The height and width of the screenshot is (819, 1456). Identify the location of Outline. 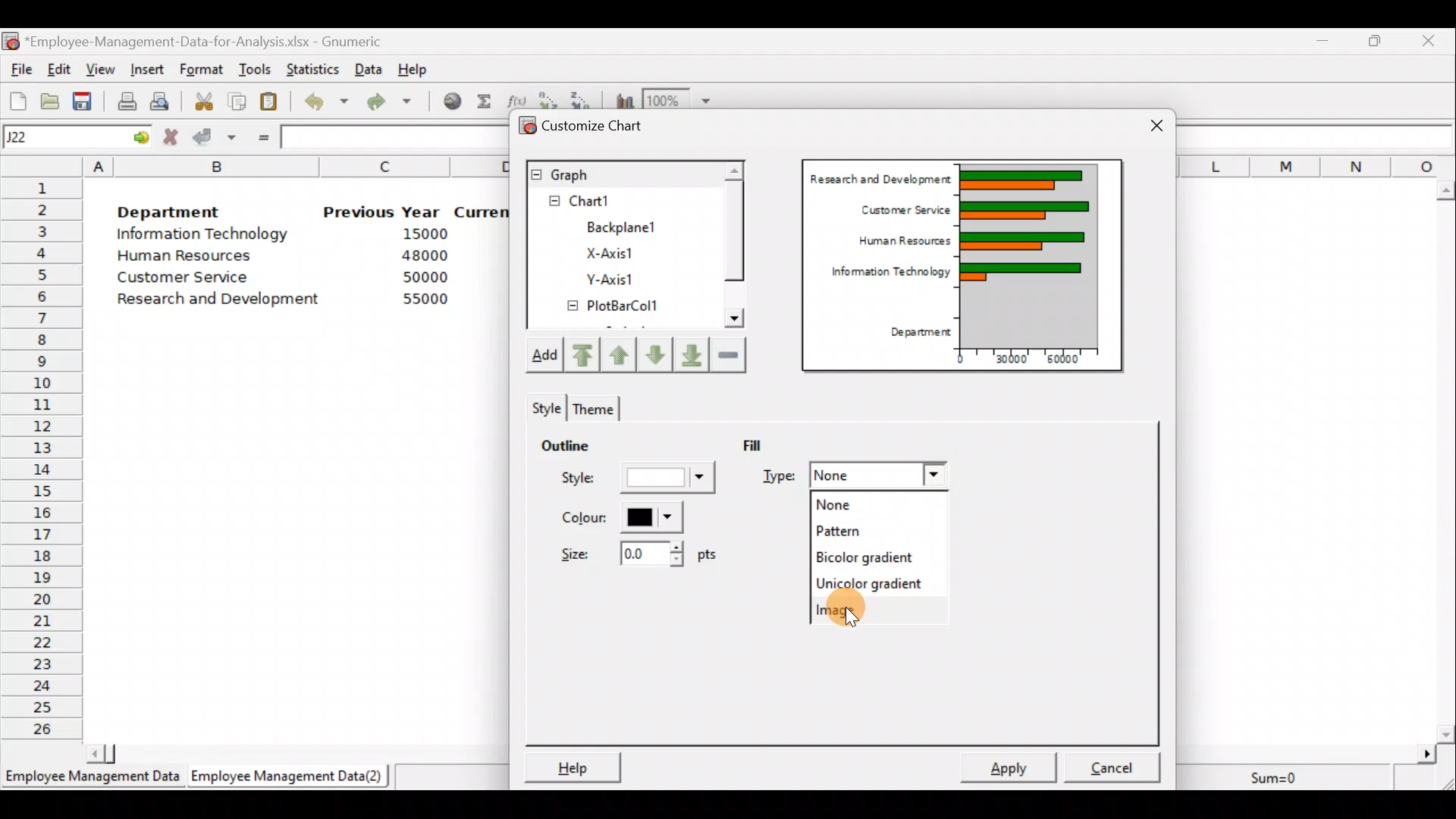
(587, 448).